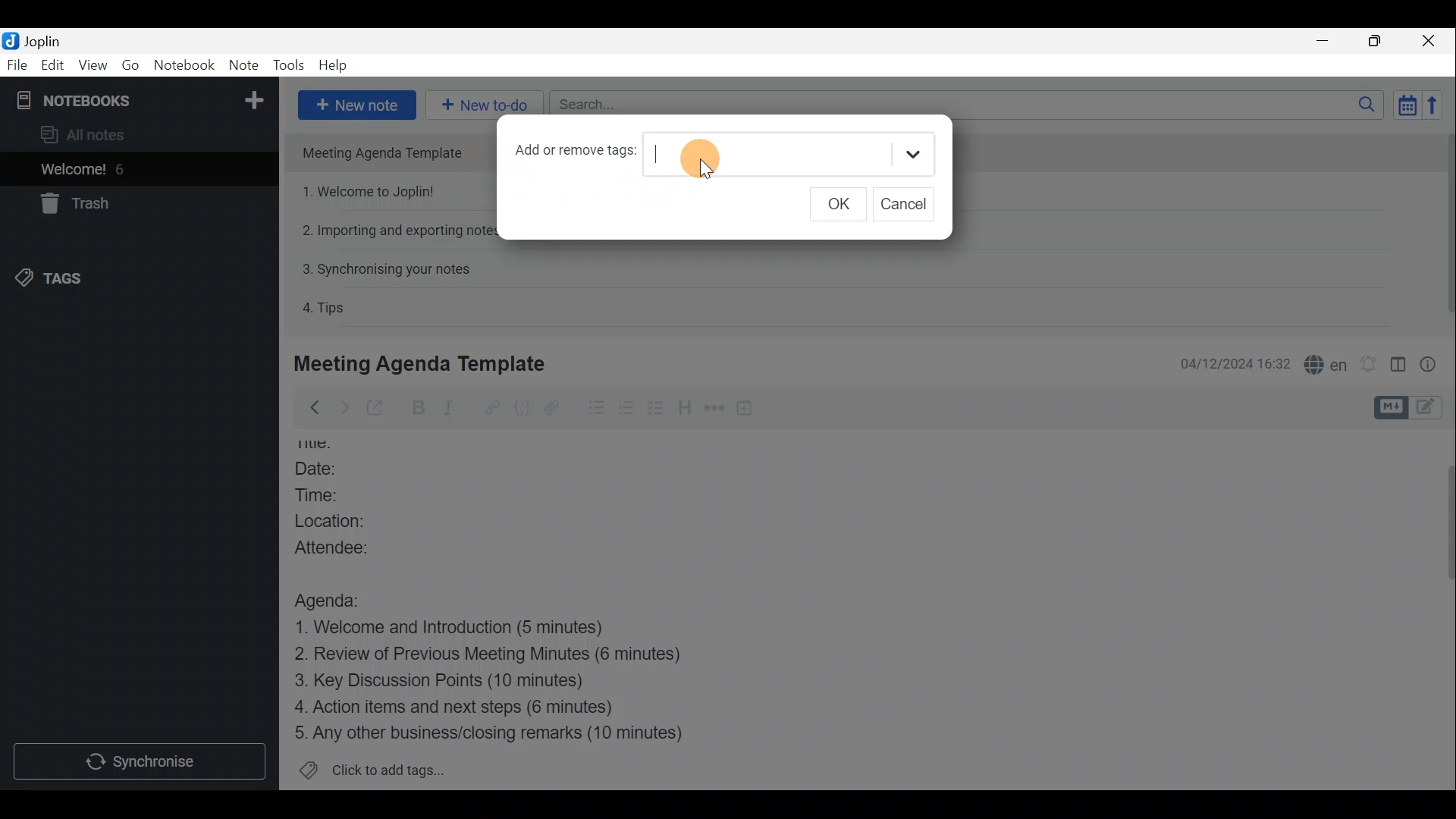 This screenshot has width=1456, height=819. Describe the element at coordinates (1399, 367) in the screenshot. I see `Toggle editor layout` at that location.